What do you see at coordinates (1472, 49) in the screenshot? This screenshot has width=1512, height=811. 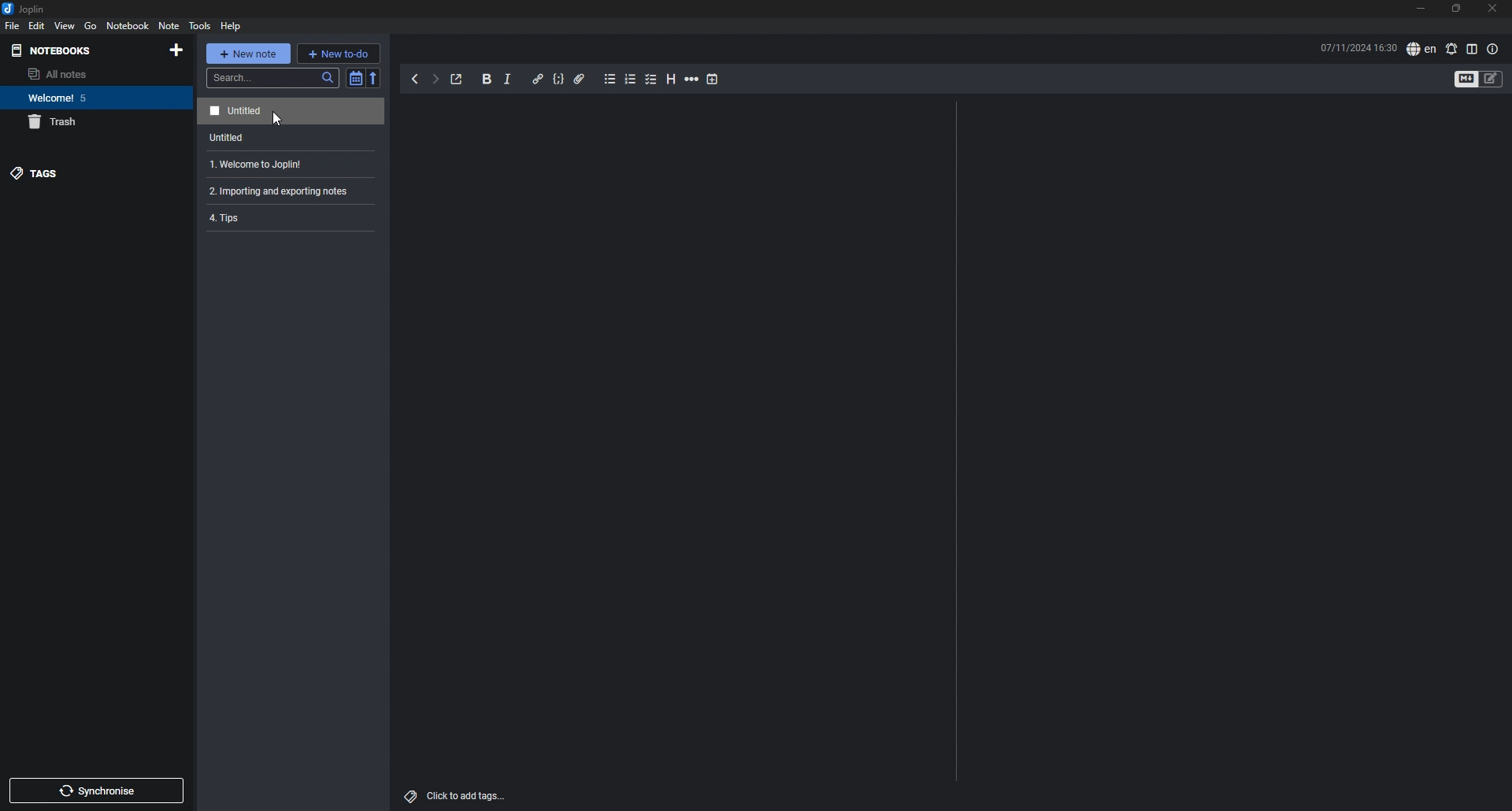 I see `toggle editor layout` at bounding box center [1472, 49].